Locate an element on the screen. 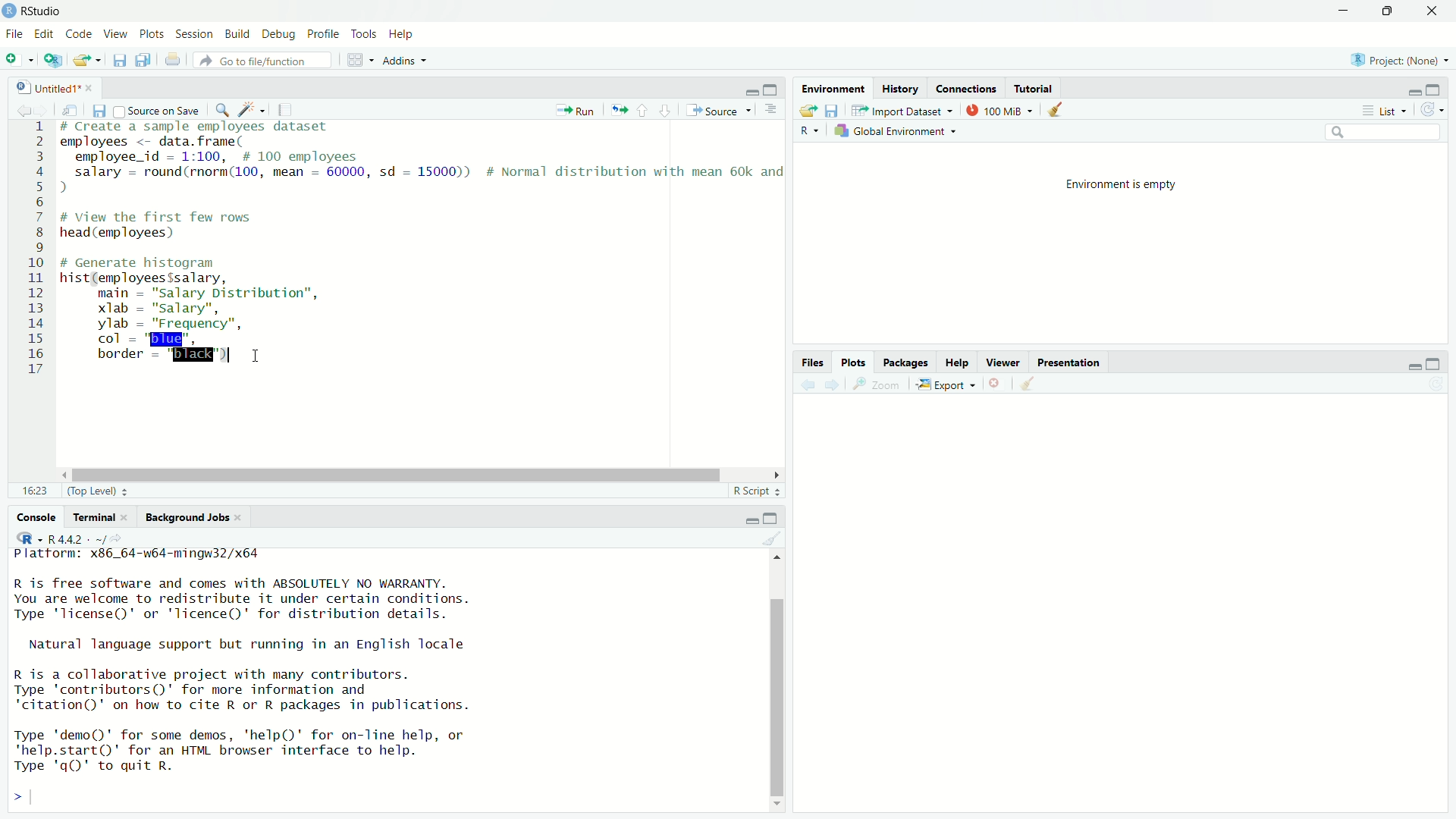 The height and width of the screenshot is (819, 1456). Help is located at coordinates (959, 362).